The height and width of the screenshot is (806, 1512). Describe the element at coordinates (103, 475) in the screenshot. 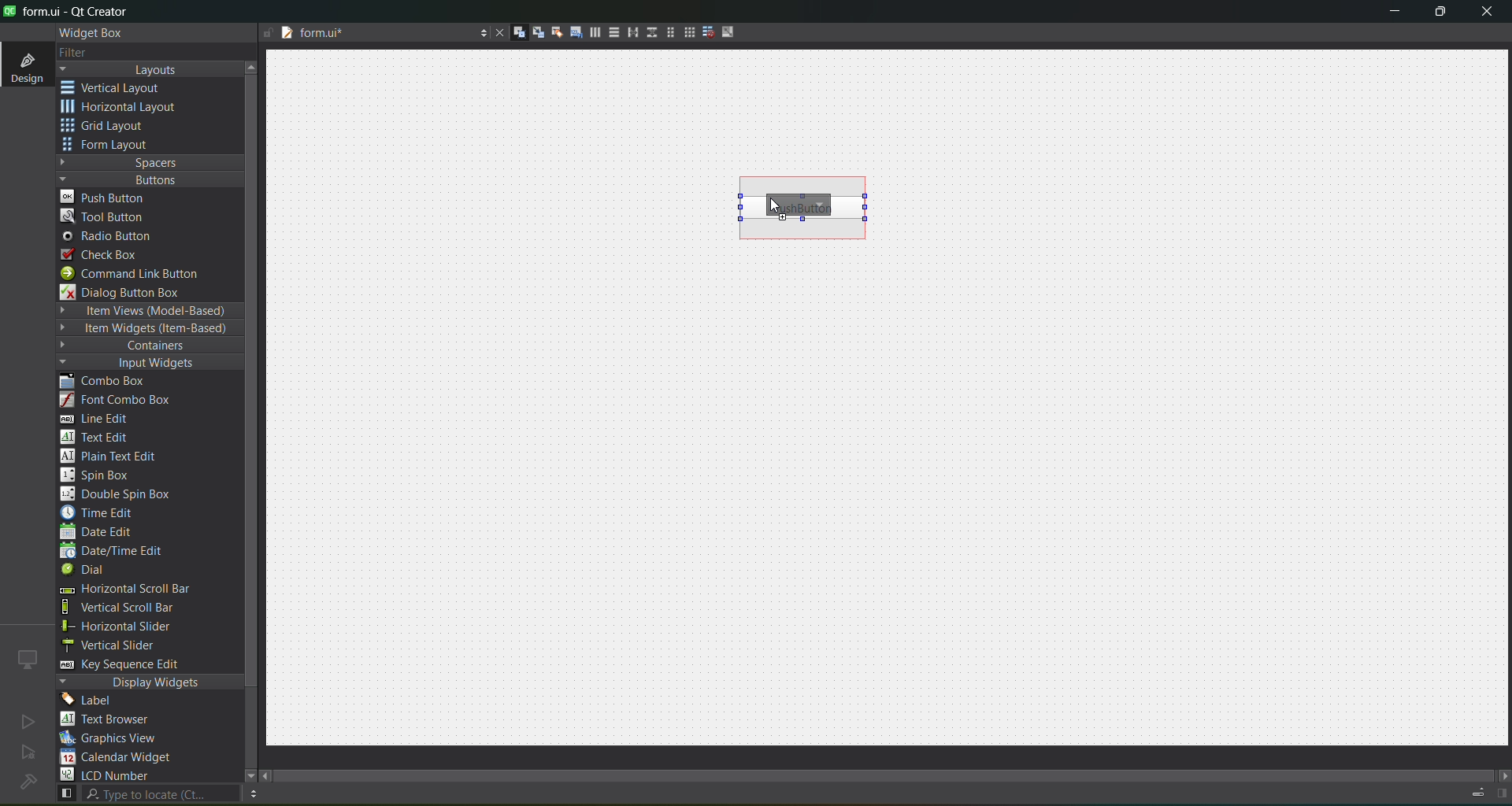

I see `spin box` at that location.